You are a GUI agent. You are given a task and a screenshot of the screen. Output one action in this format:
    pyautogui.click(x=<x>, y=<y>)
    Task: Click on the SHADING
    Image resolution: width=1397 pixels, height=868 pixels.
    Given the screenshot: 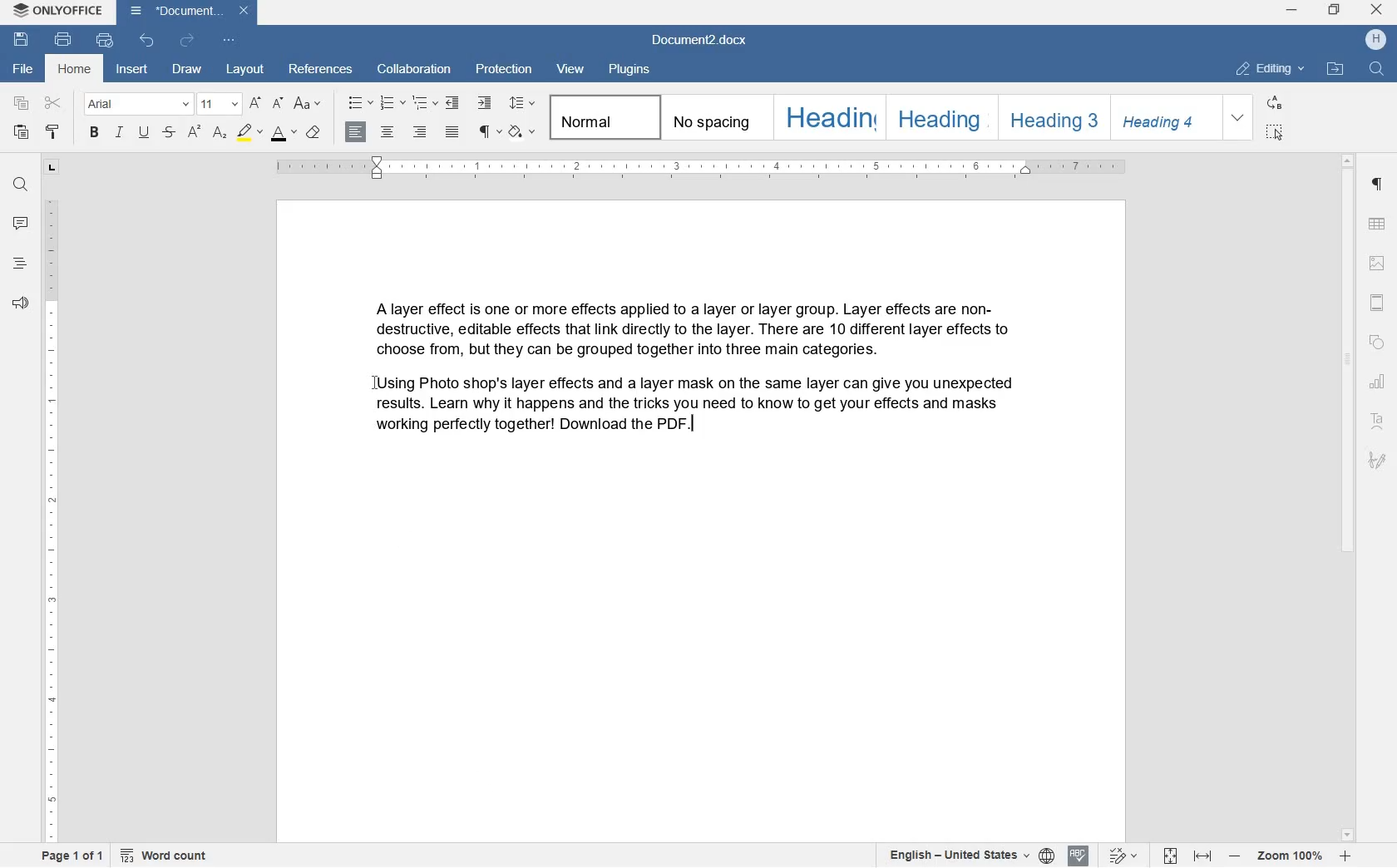 What is the action you would take?
    pyautogui.click(x=524, y=131)
    